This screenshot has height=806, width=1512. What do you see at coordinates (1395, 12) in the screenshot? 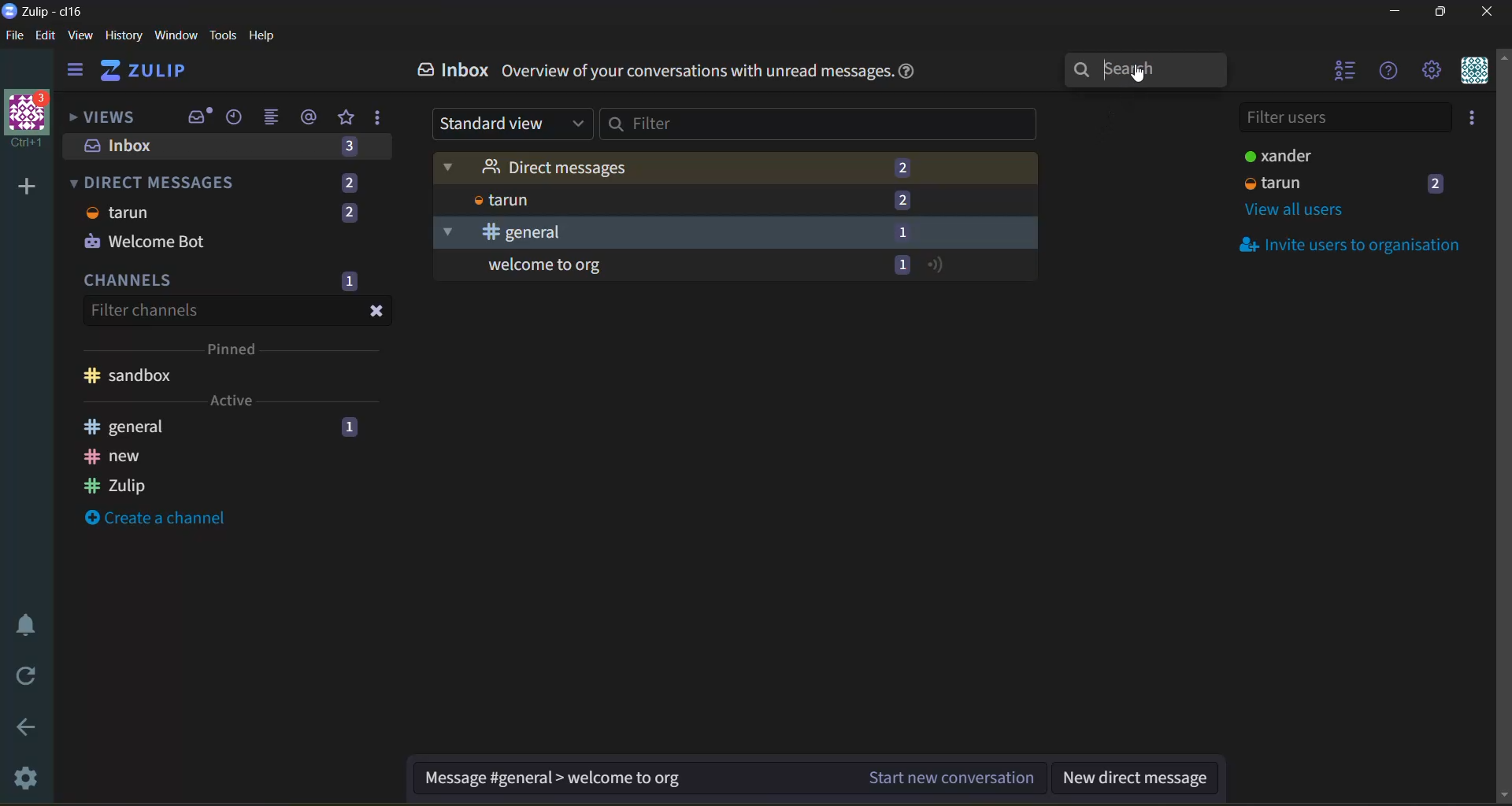
I see `minimize` at bounding box center [1395, 12].